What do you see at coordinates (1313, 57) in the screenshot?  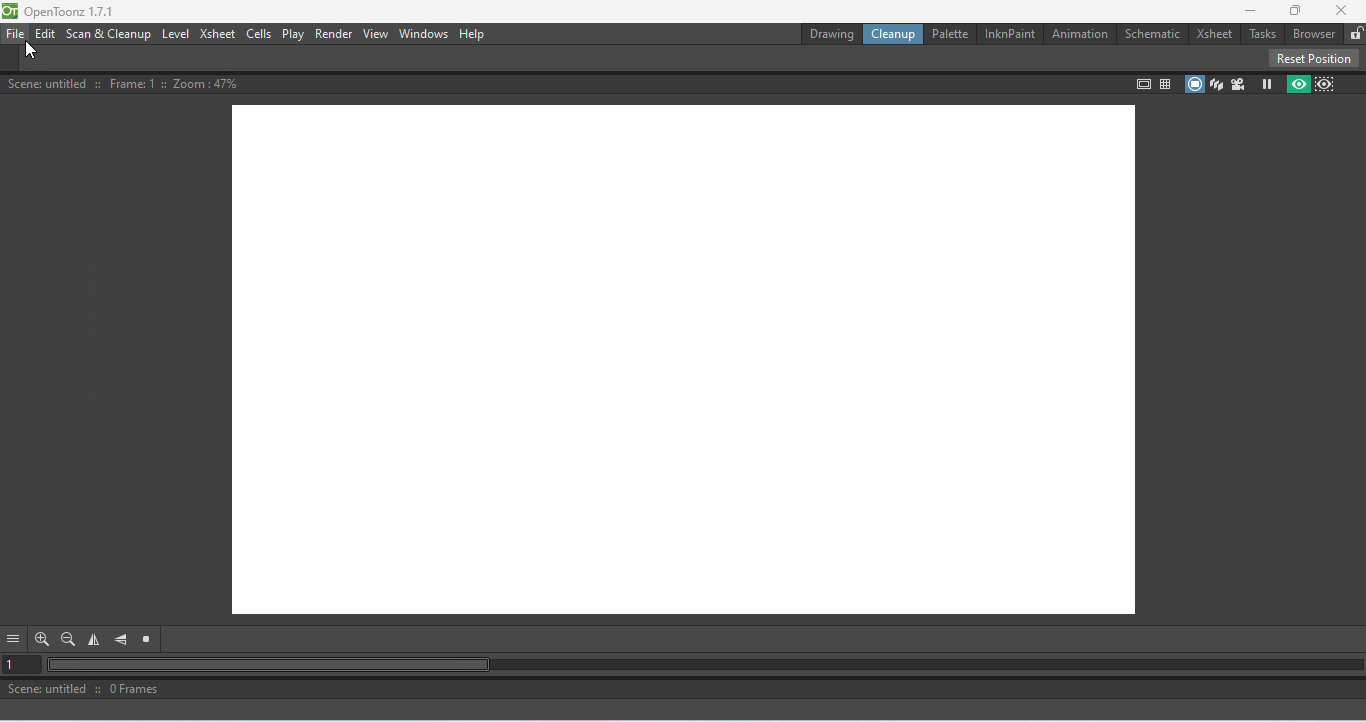 I see `Reset position` at bounding box center [1313, 57].